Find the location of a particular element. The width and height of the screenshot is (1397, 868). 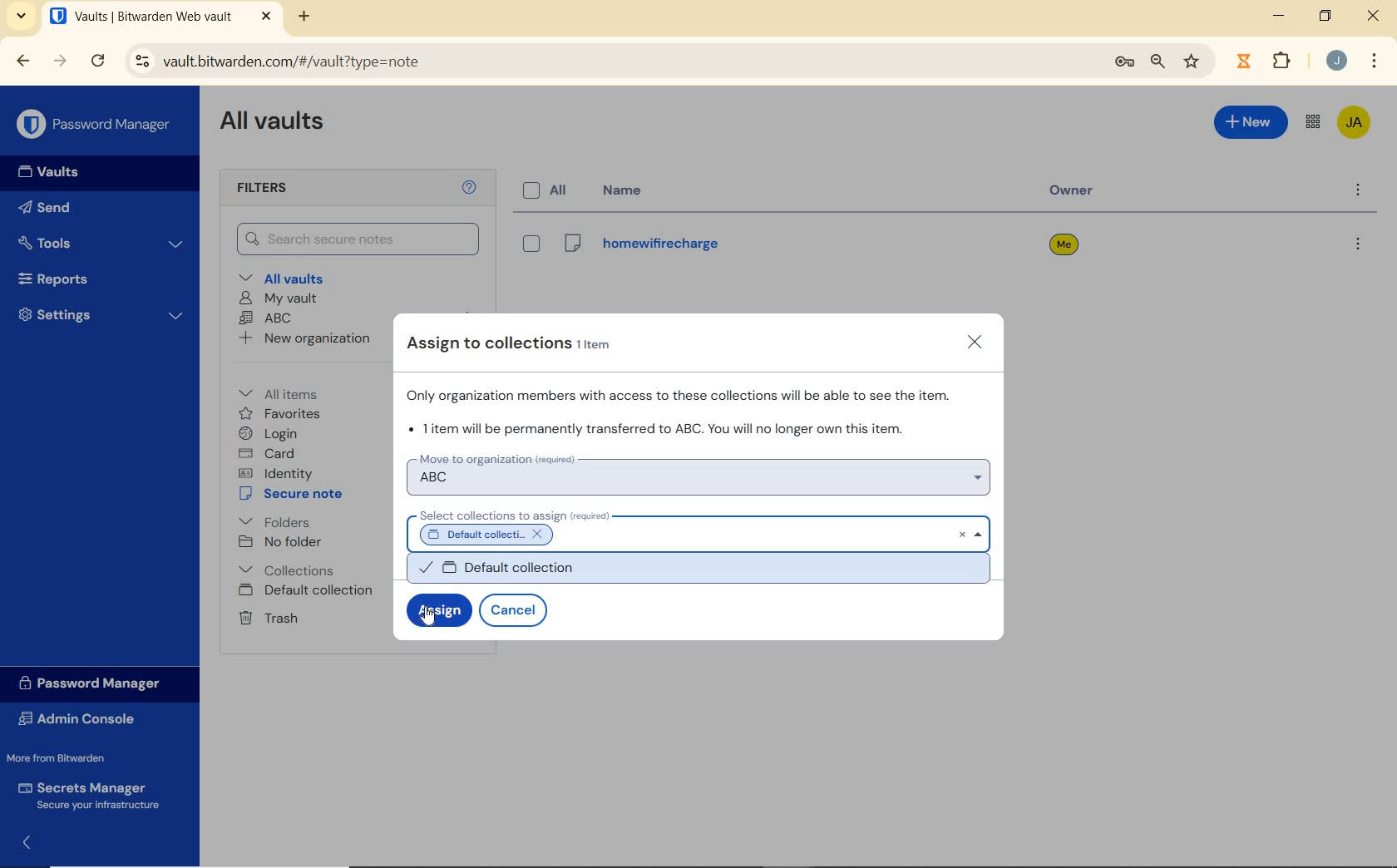

restore is located at coordinates (1325, 16).